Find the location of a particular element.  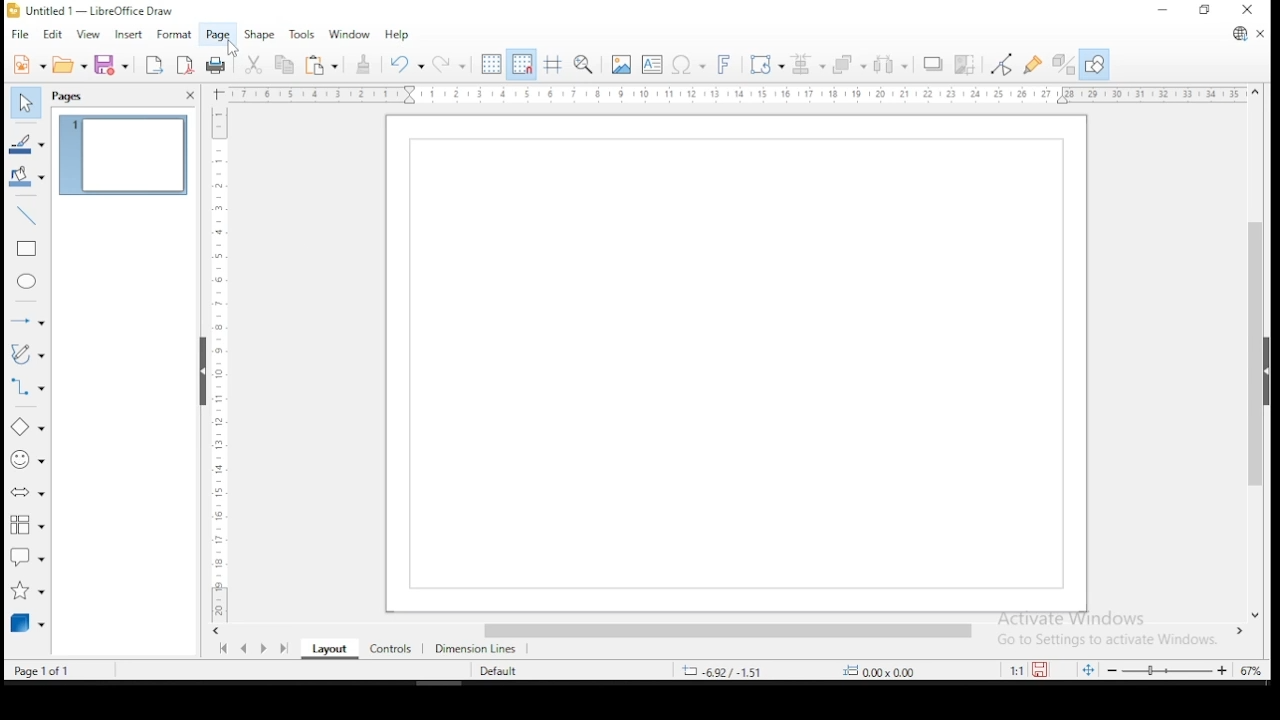

show helplines when moving is located at coordinates (555, 64).